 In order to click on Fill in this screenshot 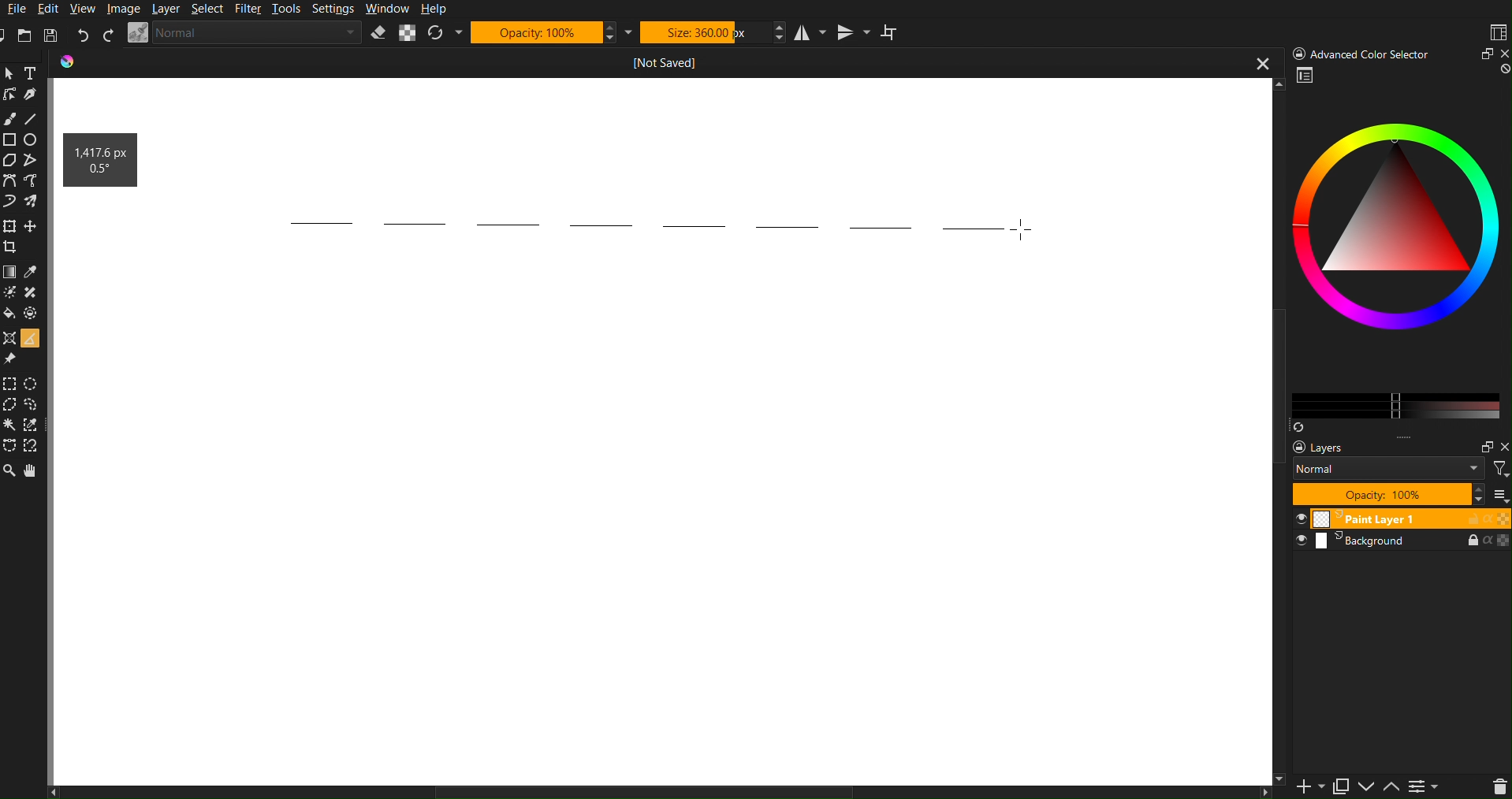, I will do `click(11, 313)`.